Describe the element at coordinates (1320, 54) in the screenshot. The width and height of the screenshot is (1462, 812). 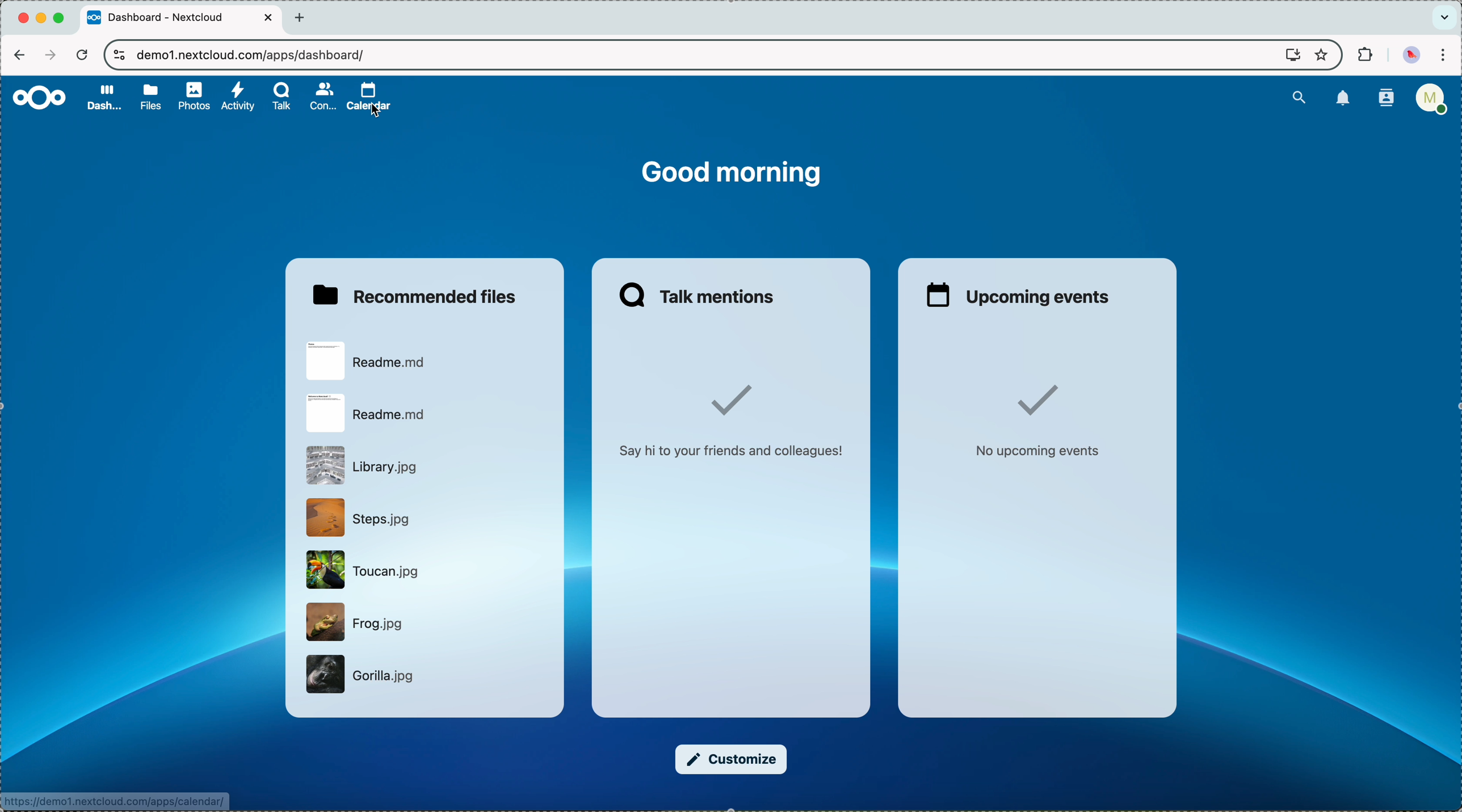
I see `favorites` at that location.